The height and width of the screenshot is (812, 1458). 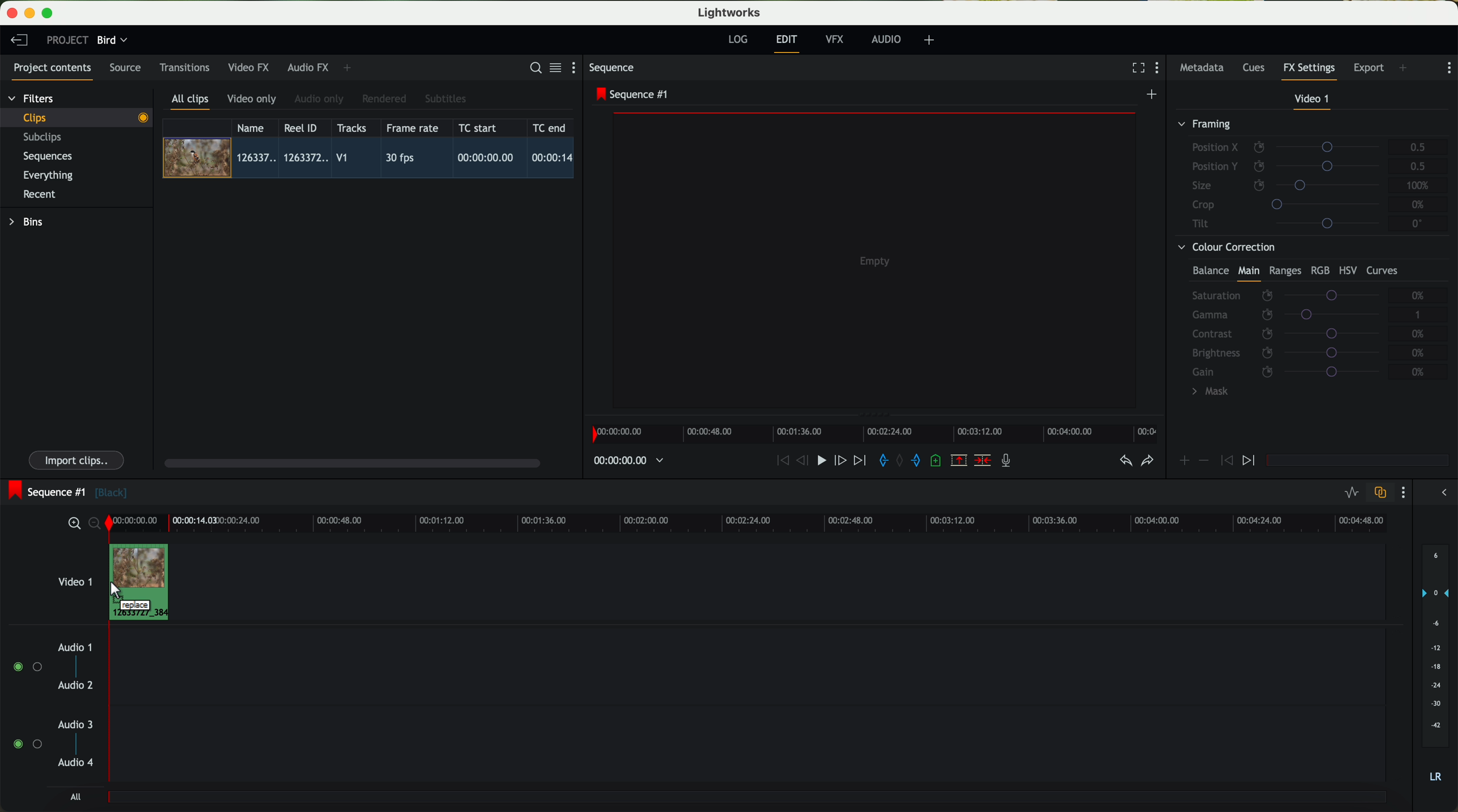 What do you see at coordinates (1010, 462) in the screenshot?
I see `record a voice-over` at bounding box center [1010, 462].